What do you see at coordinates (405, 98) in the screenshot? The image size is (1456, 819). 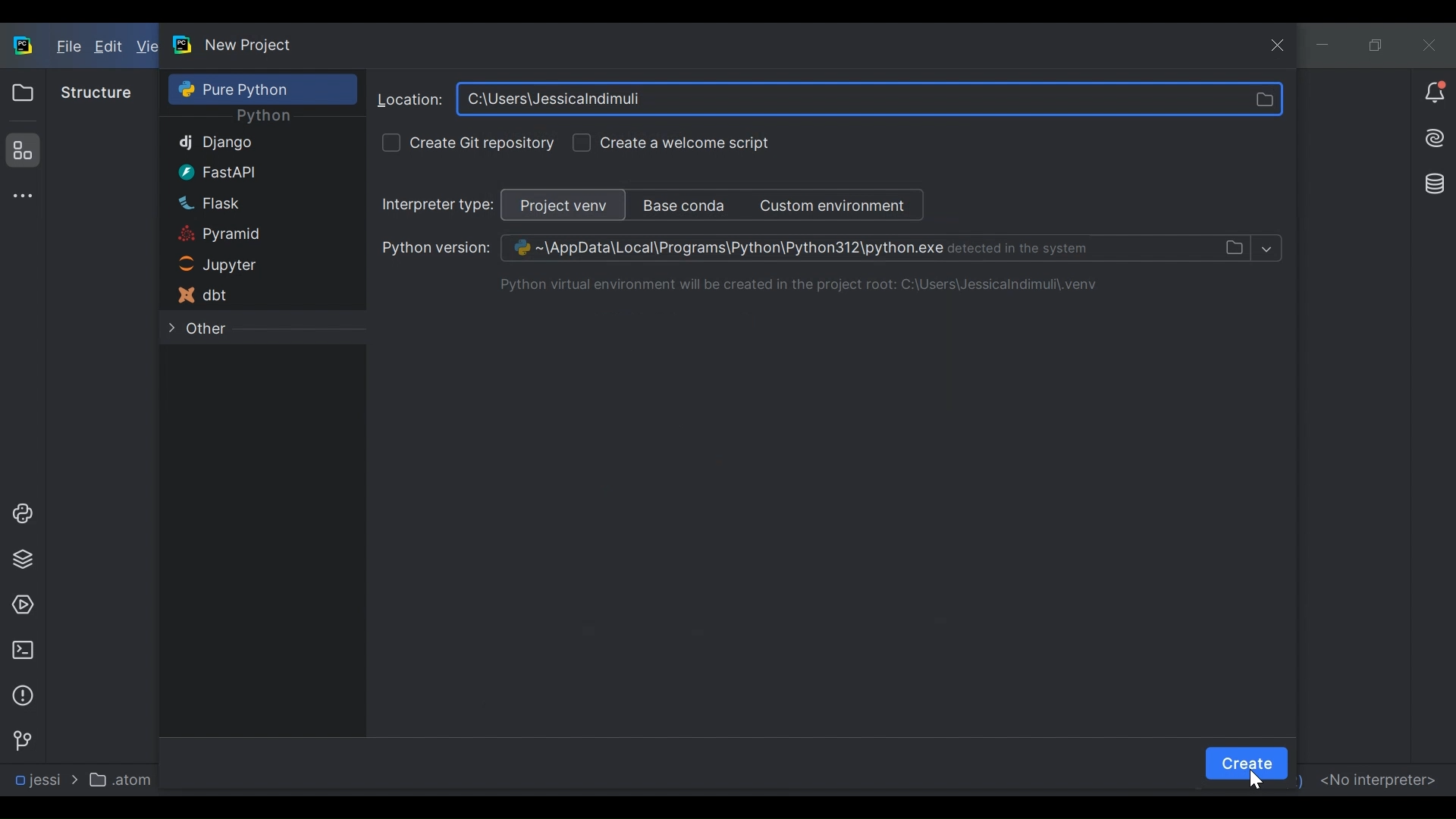 I see `Browse location` at bounding box center [405, 98].